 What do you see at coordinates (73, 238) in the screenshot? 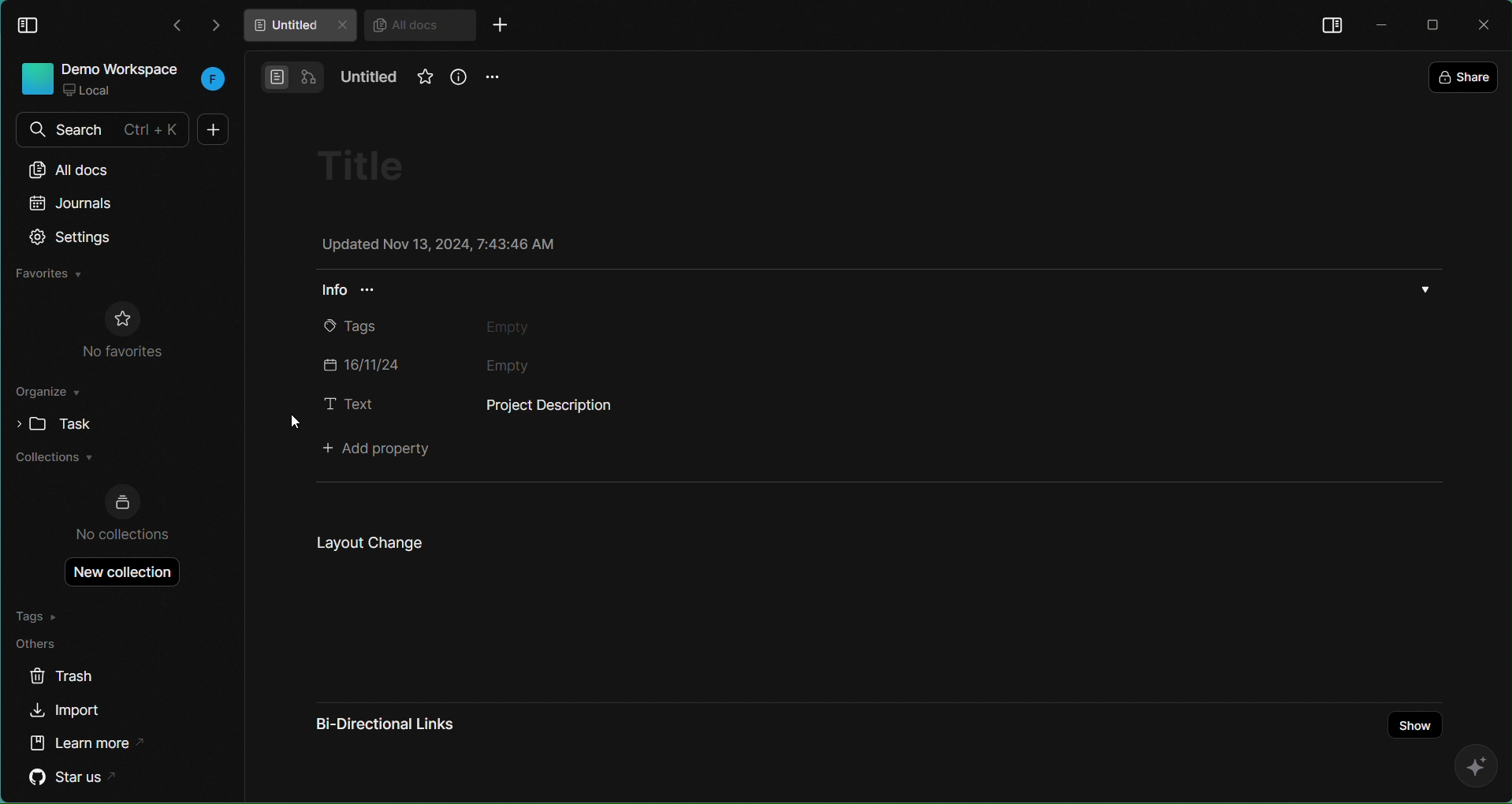
I see `settings` at bounding box center [73, 238].